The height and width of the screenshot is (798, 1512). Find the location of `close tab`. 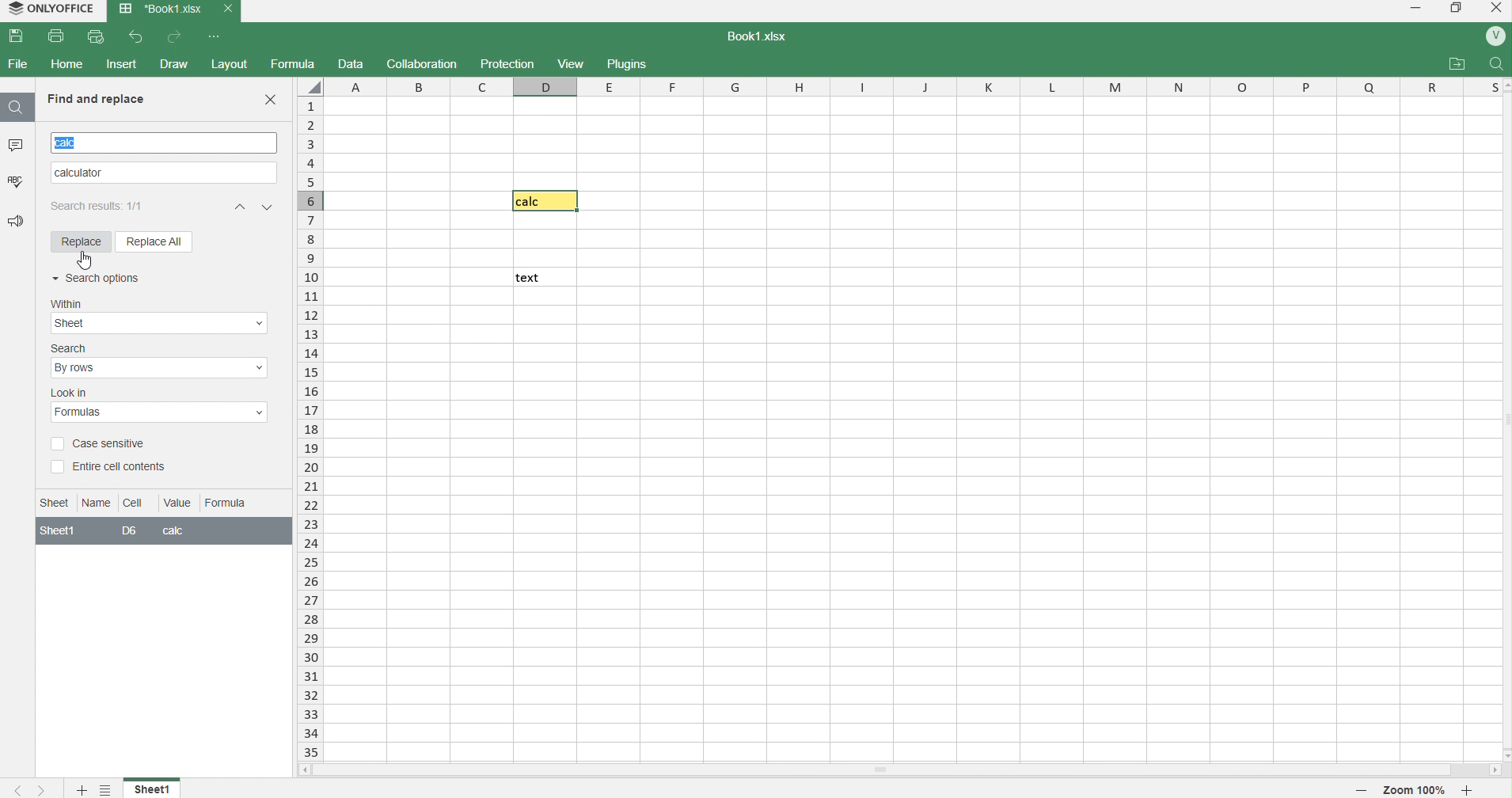

close tab is located at coordinates (228, 11).